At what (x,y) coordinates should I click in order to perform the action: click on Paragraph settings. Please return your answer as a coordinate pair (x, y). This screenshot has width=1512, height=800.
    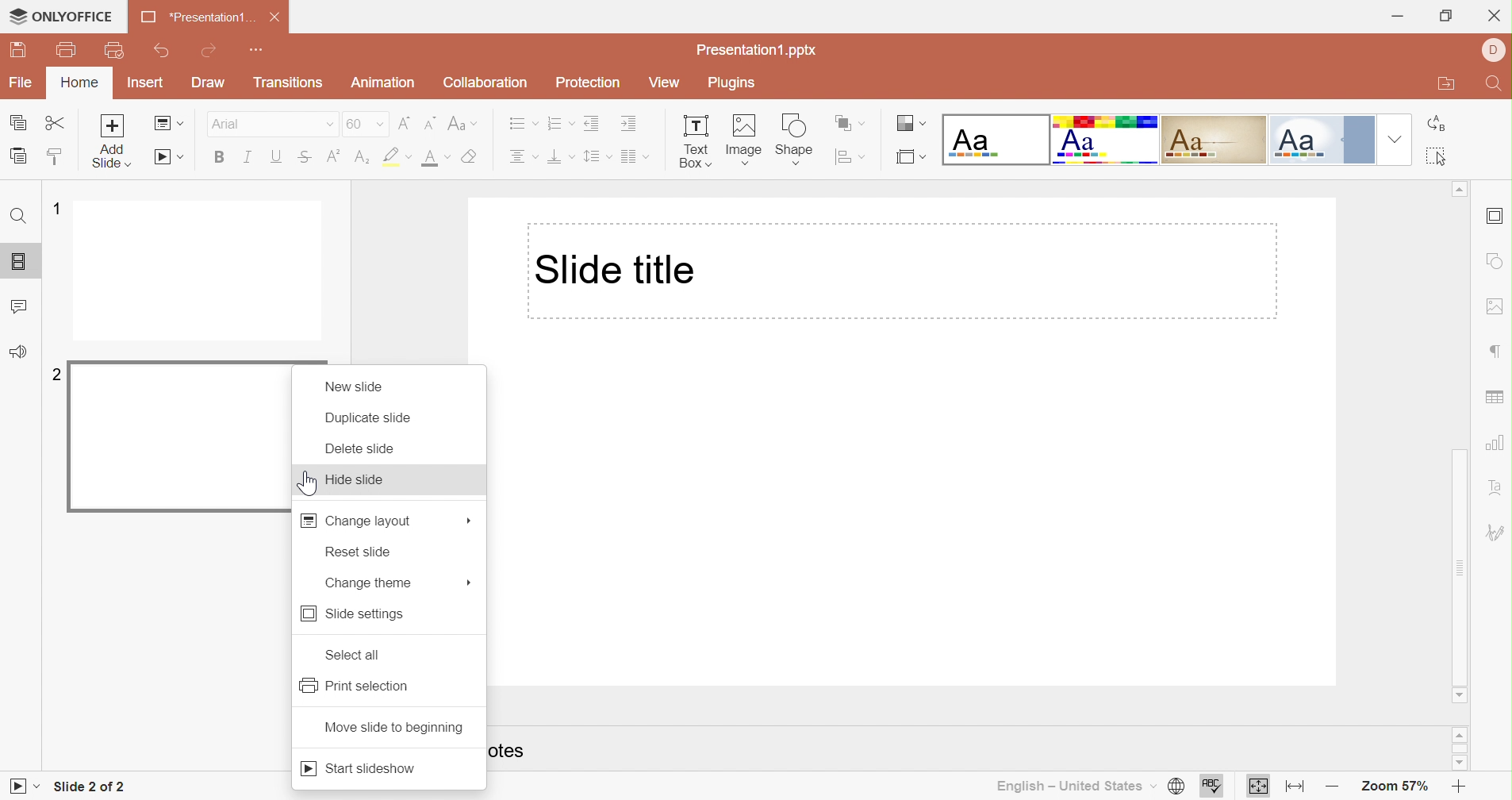
    Looking at the image, I should click on (1495, 352).